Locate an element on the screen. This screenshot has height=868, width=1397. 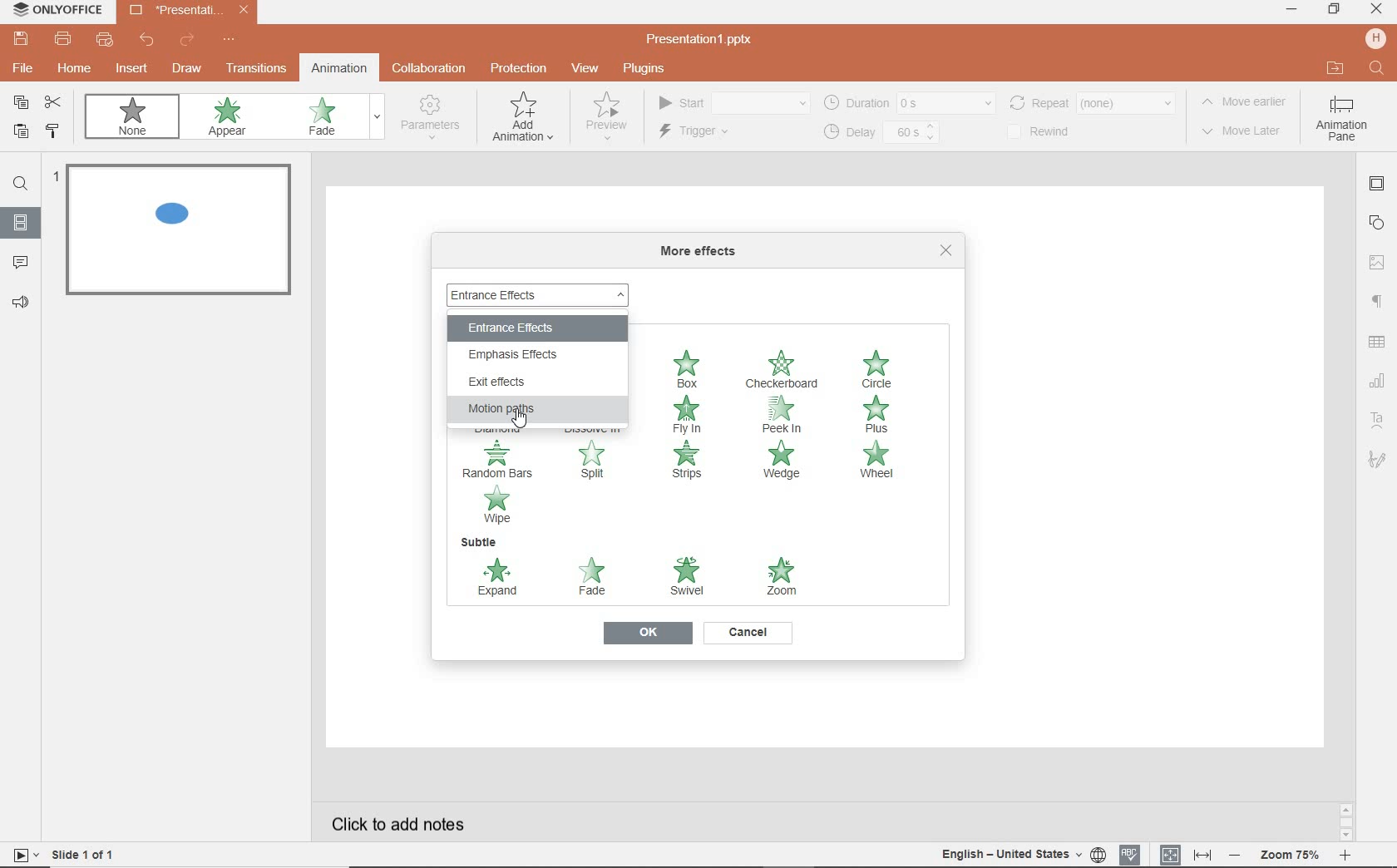
insert is located at coordinates (129, 69).